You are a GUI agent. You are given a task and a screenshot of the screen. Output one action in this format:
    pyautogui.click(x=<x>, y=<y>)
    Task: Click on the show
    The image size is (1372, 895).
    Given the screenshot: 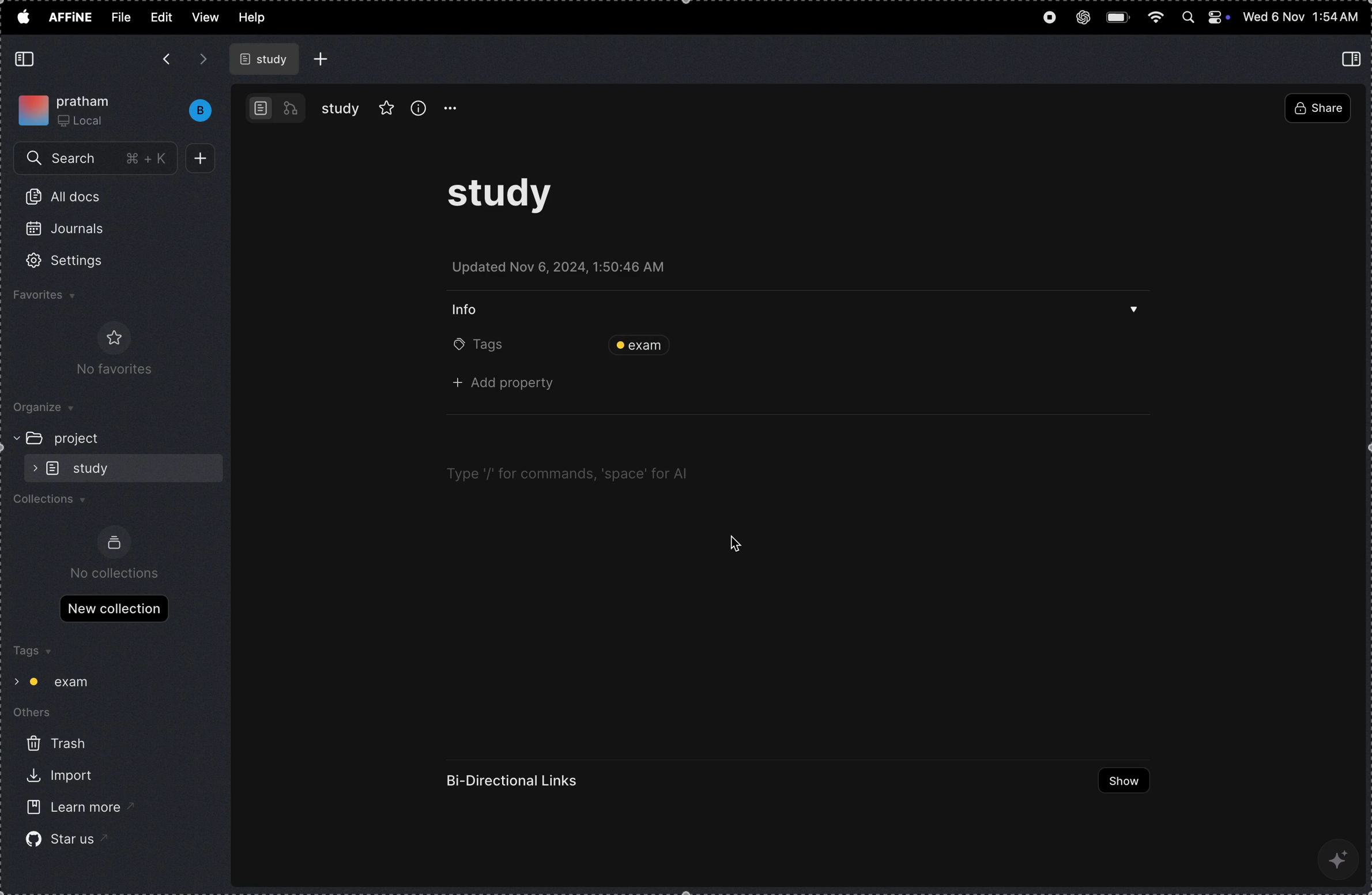 What is the action you would take?
    pyautogui.click(x=1118, y=781)
    